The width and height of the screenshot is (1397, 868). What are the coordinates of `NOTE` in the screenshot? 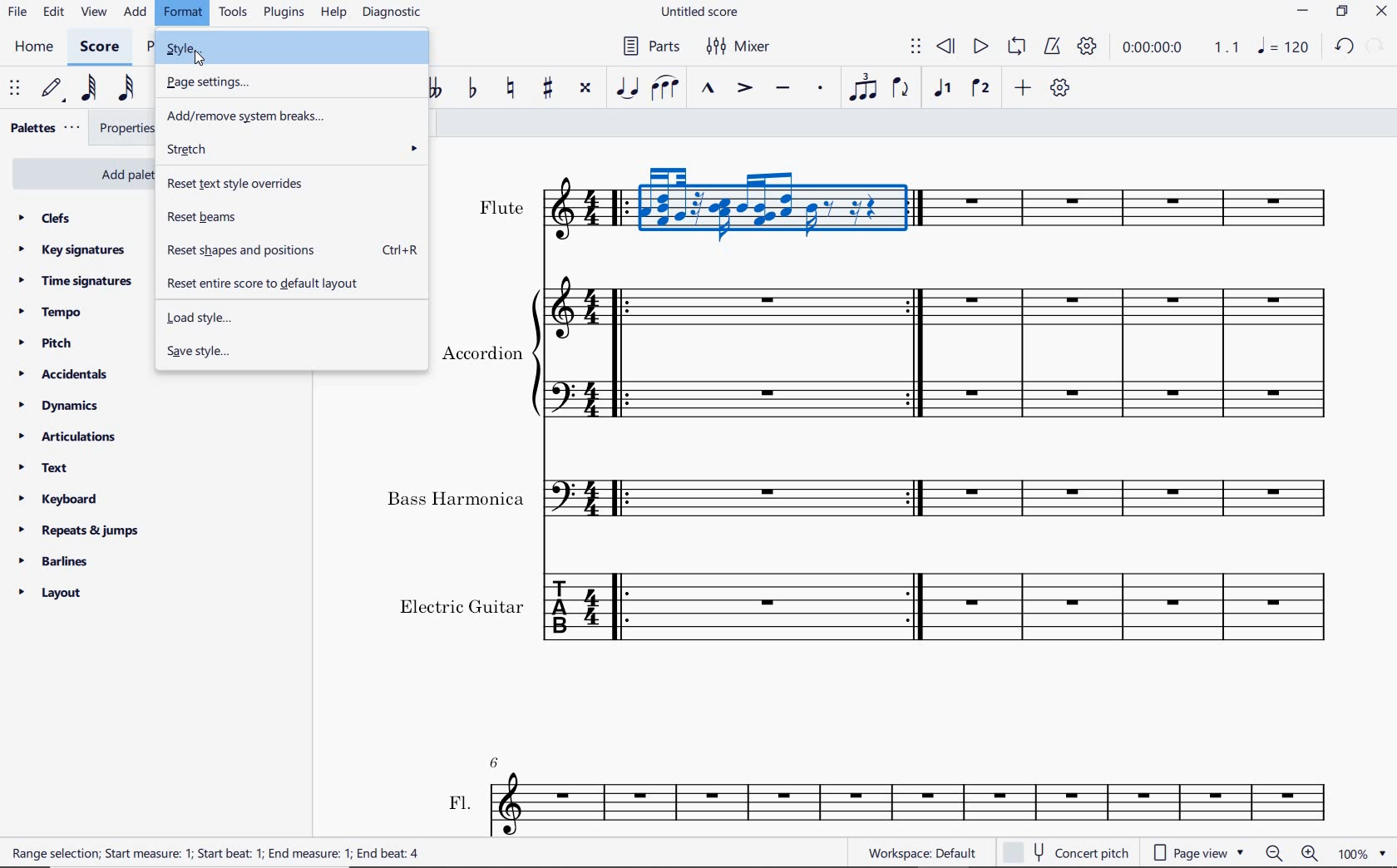 It's located at (1284, 46).